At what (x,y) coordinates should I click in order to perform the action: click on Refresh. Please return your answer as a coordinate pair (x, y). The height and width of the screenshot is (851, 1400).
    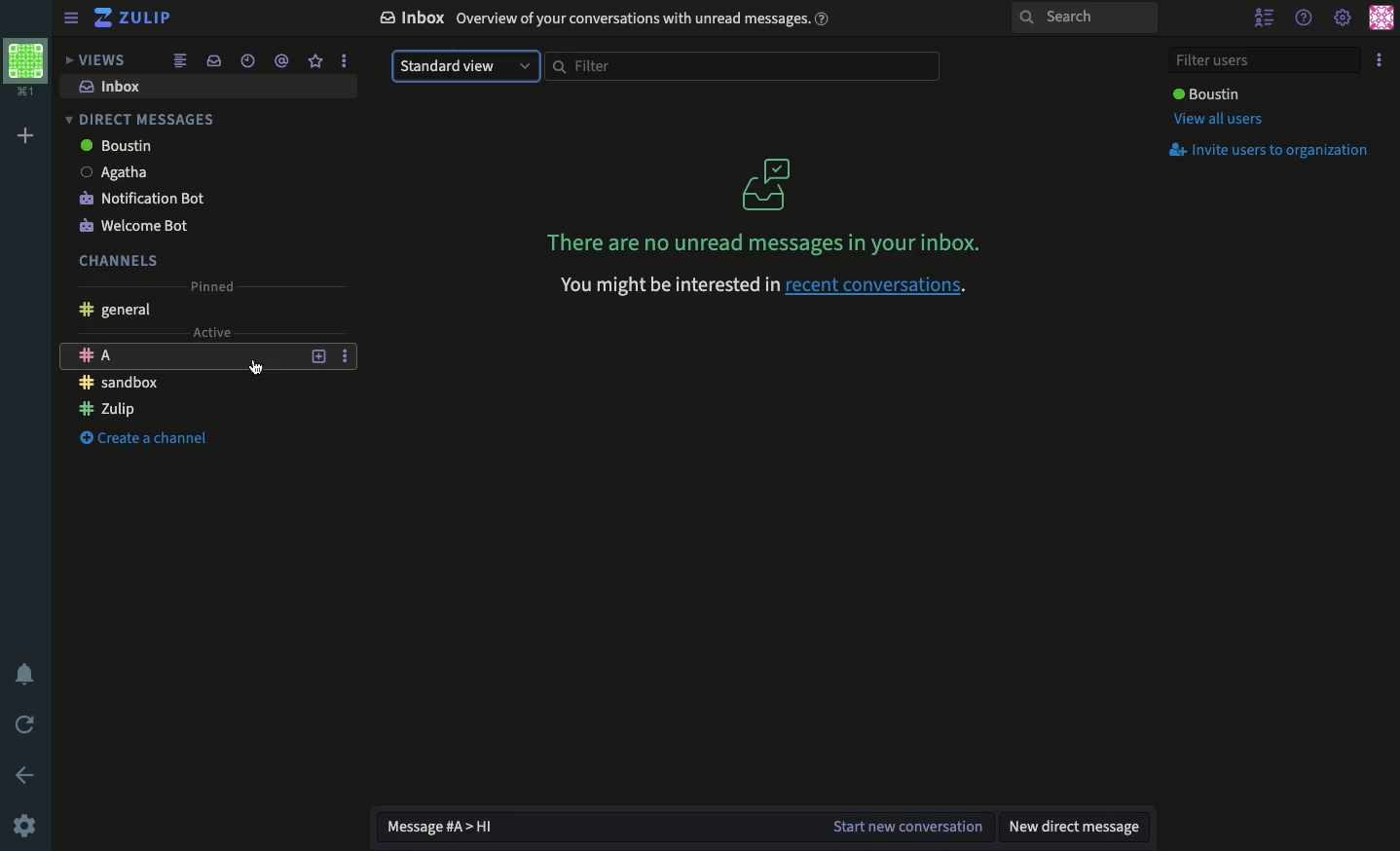
    Looking at the image, I should click on (26, 722).